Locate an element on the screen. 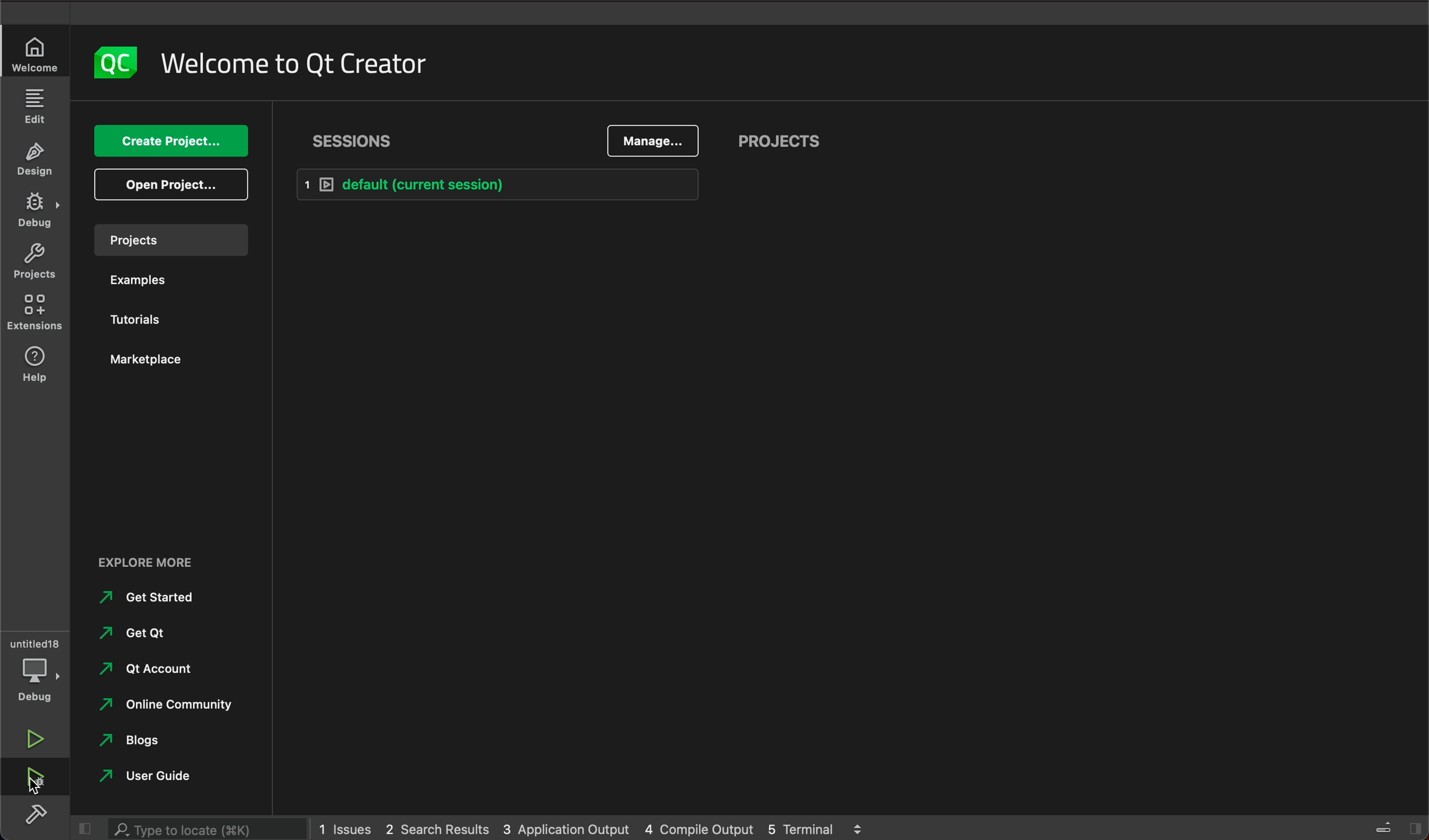 The height and width of the screenshot is (840, 1429). open is located at coordinates (173, 186).